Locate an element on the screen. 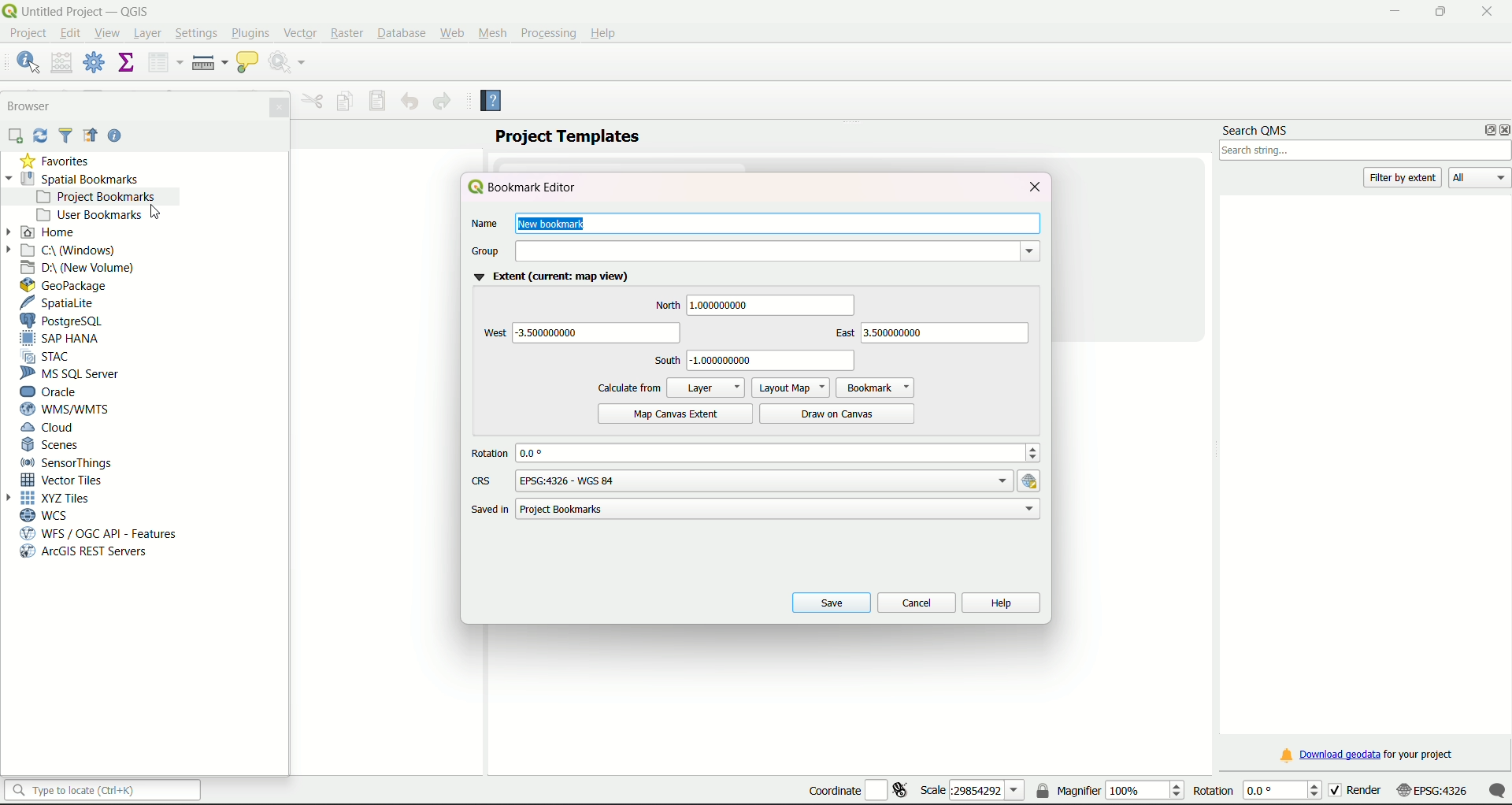  identify features is located at coordinates (27, 61).